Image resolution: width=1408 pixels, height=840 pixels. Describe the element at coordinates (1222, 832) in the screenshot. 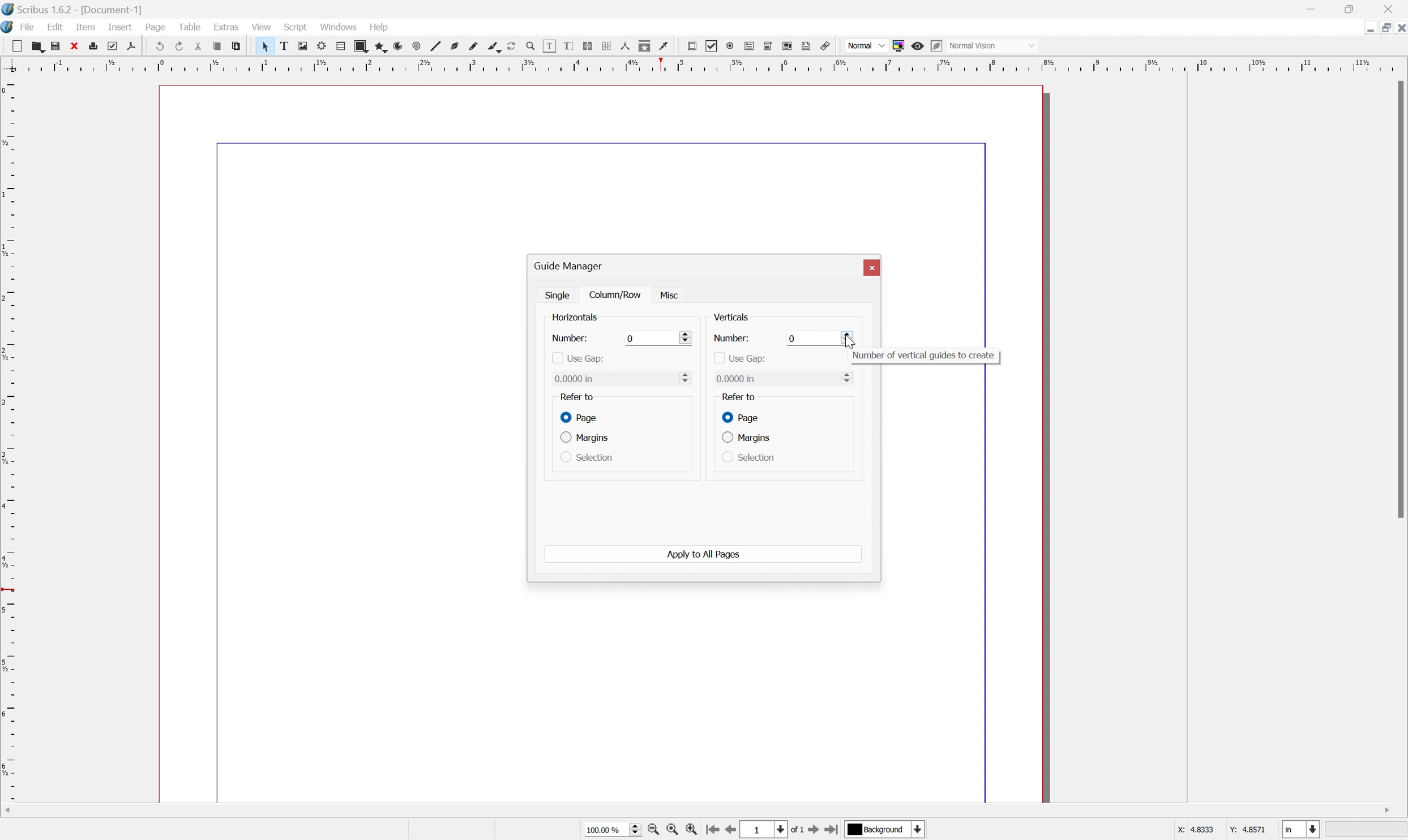

I see `coordinates` at that location.